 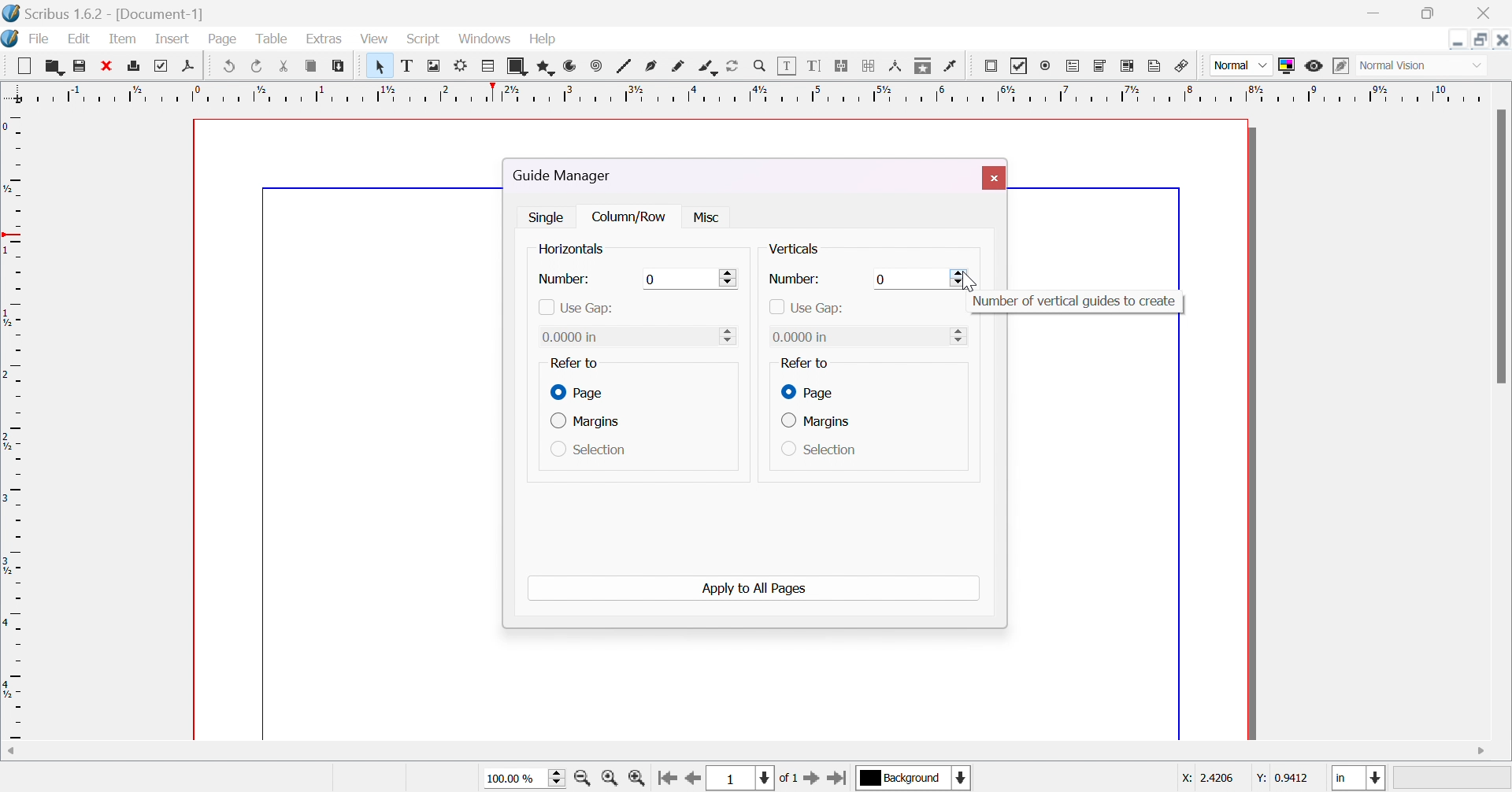 I want to click on Close, so click(x=1503, y=39).